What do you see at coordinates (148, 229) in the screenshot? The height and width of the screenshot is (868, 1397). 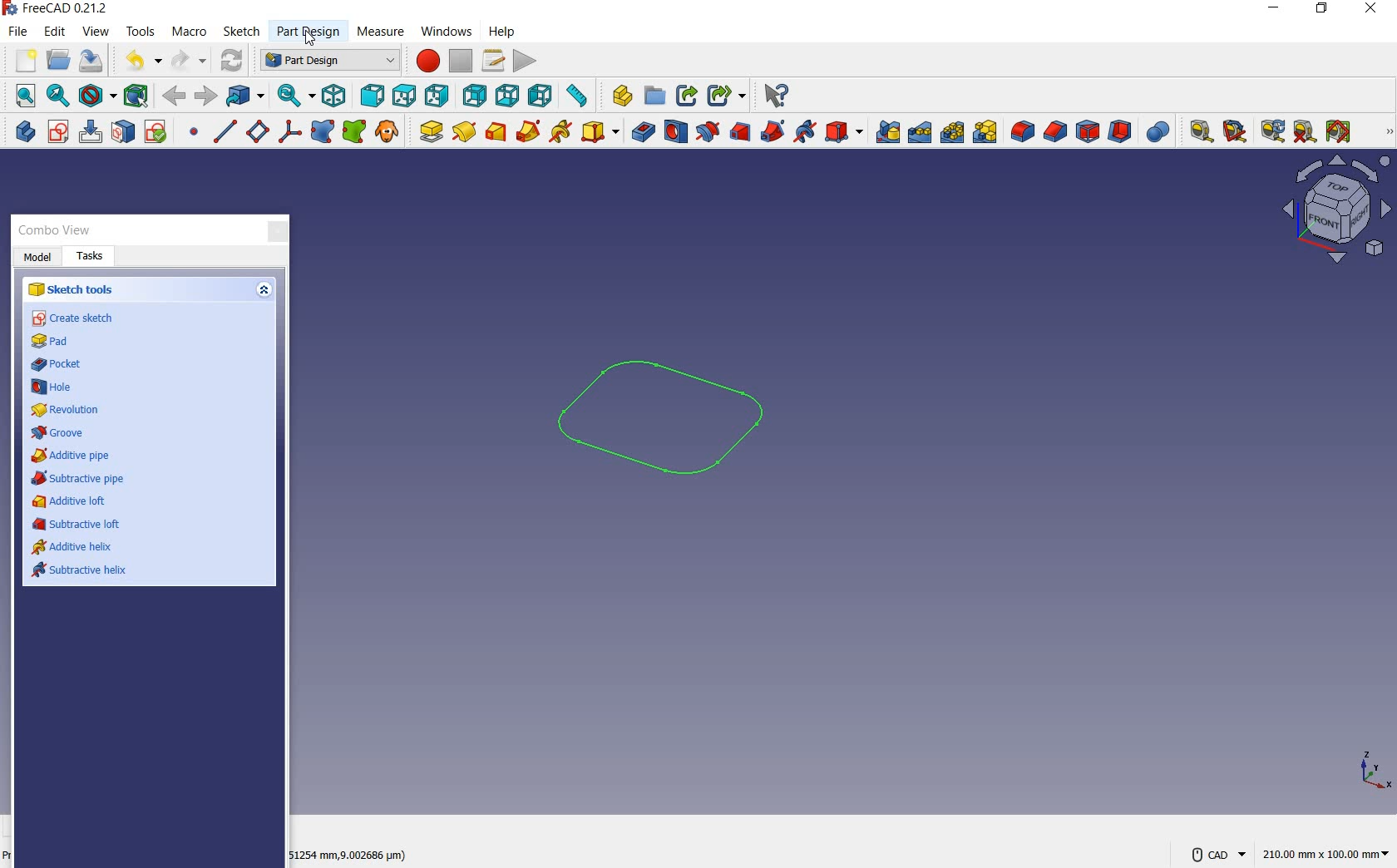 I see `Combo View` at bounding box center [148, 229].